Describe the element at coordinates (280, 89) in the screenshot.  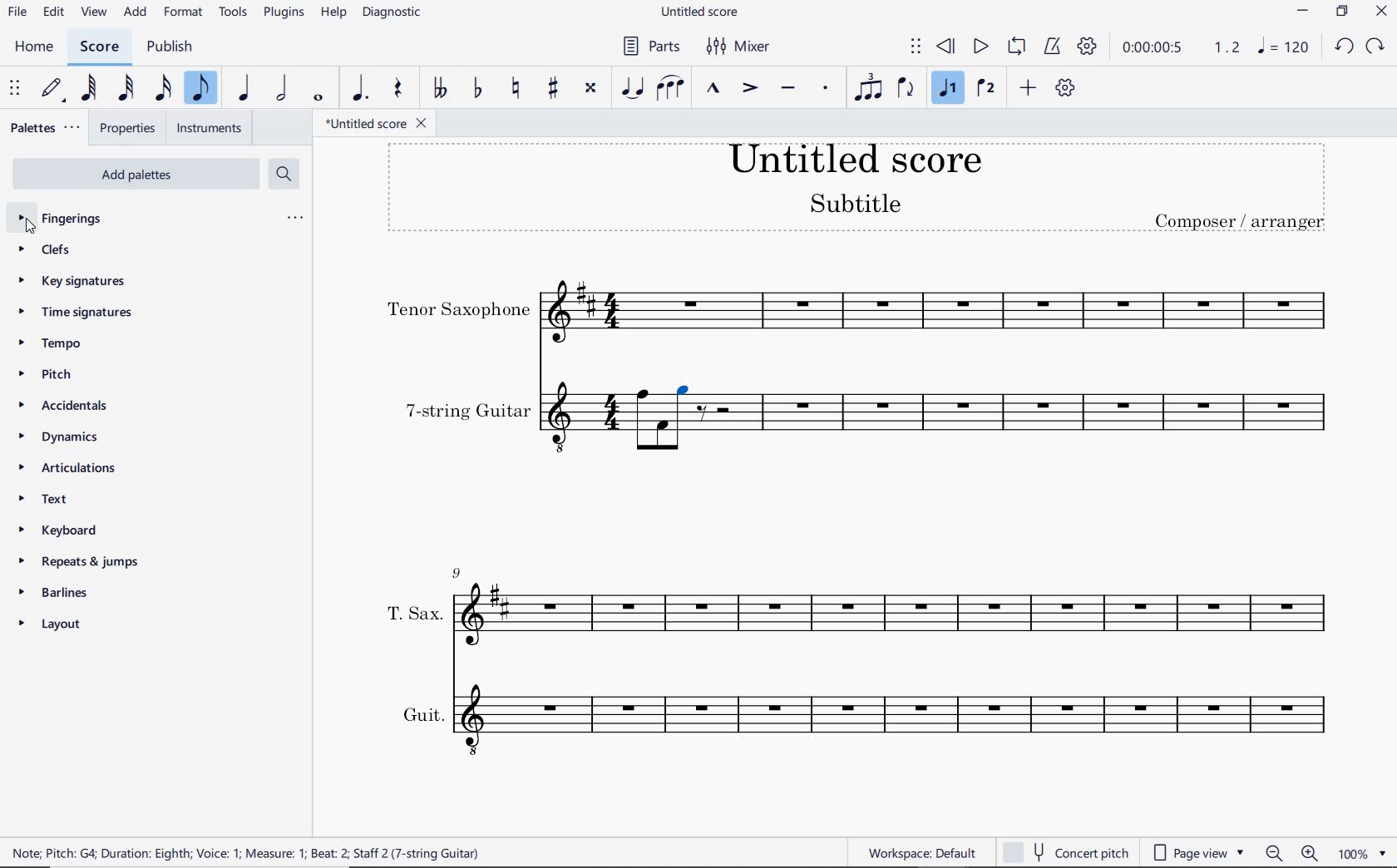
I see `HALF NOTE` at that location.